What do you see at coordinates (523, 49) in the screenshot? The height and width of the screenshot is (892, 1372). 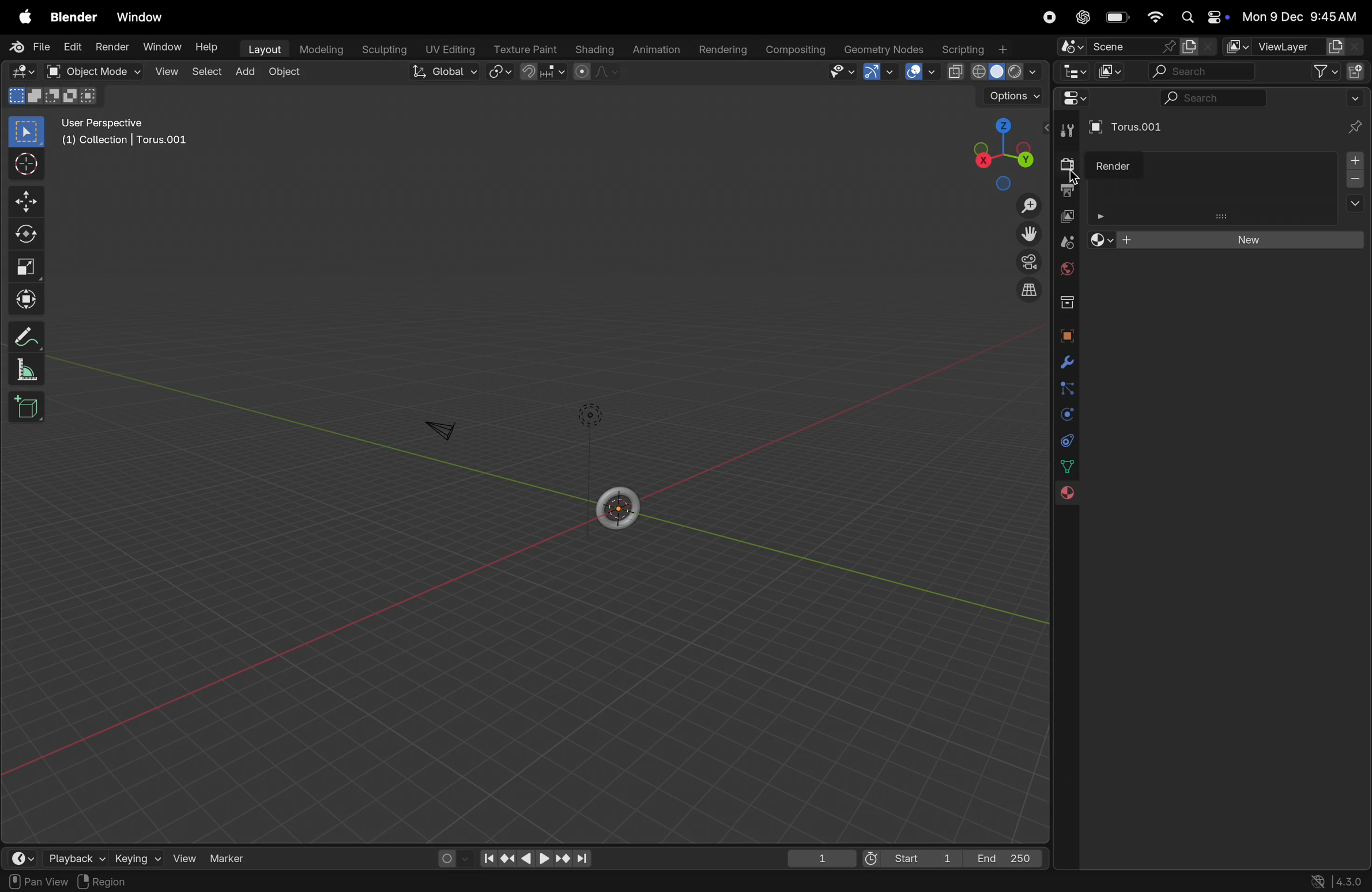 I see `texture point` at bounding box center [523, 49].